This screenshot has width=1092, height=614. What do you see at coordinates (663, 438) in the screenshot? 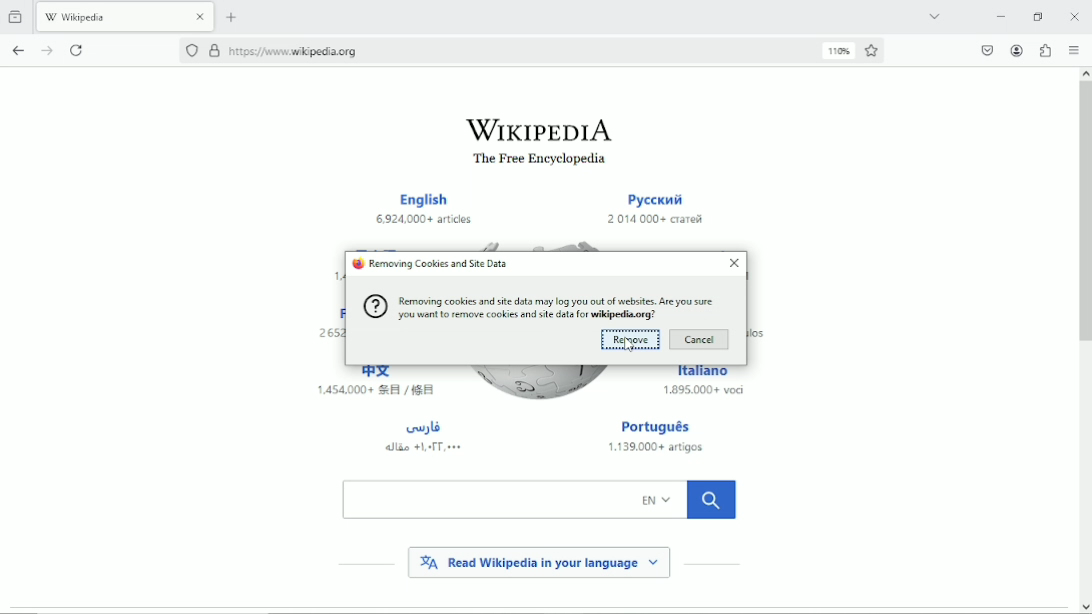
I see `Portugués
1.139.000+ artigos` at bounding box center [663, 438].